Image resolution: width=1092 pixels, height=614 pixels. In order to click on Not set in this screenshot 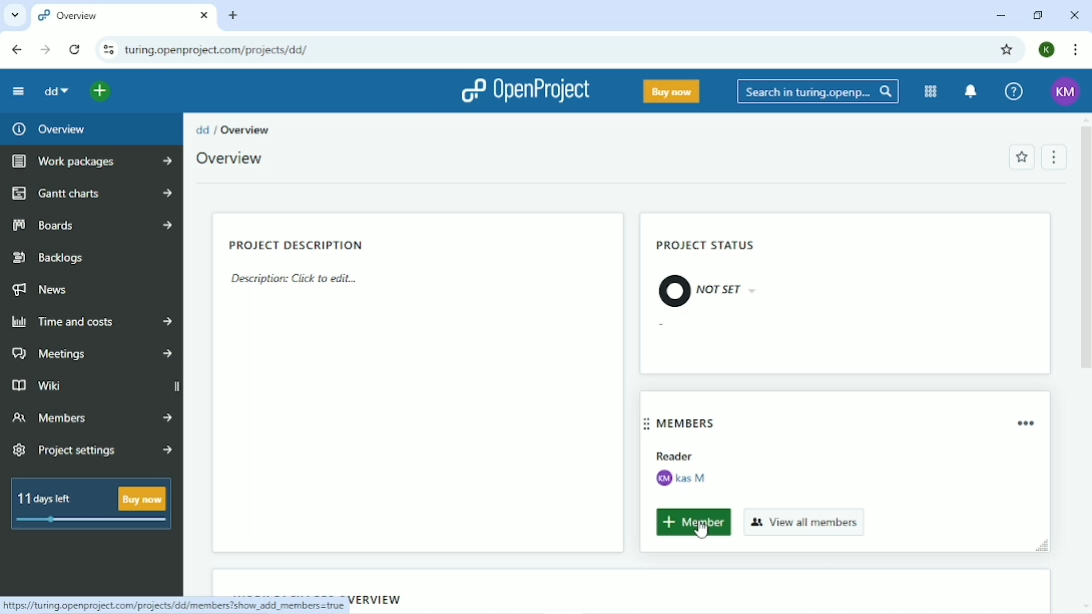, I will do `click(706, 289)`.